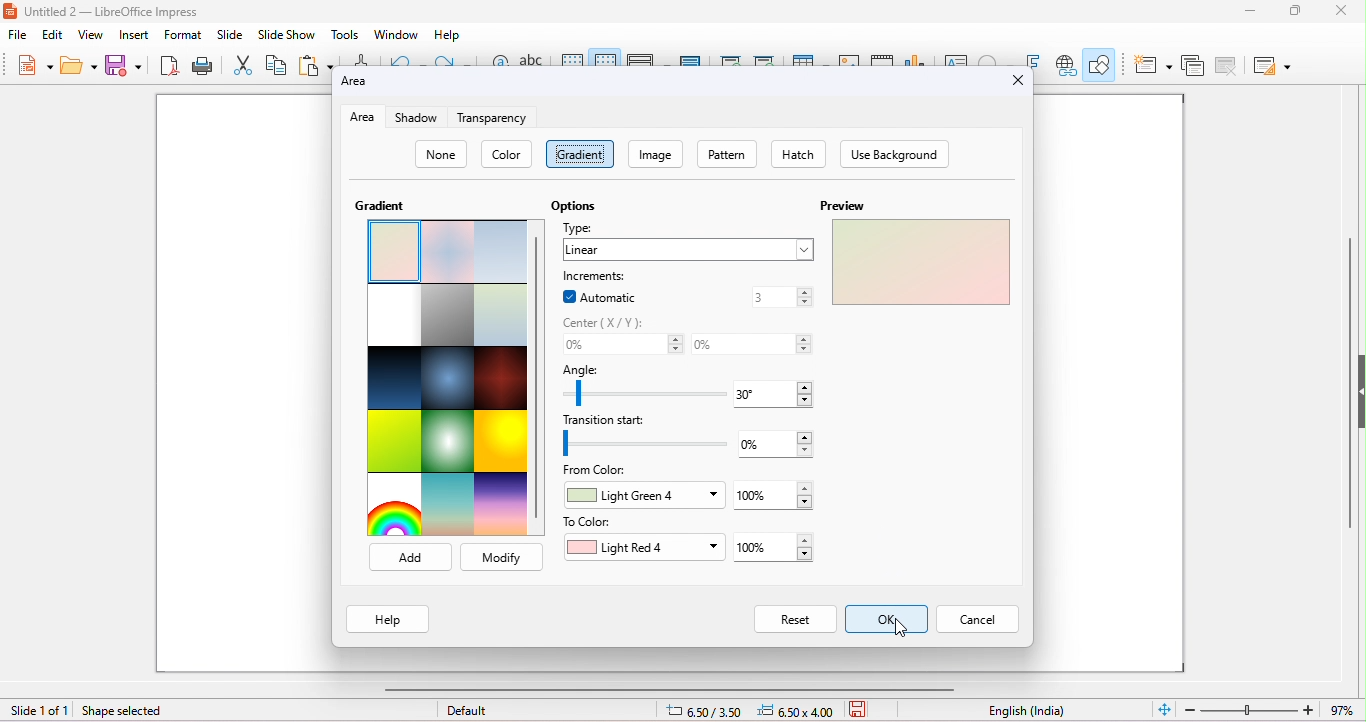  I want to click on linear, so click(689, 250).